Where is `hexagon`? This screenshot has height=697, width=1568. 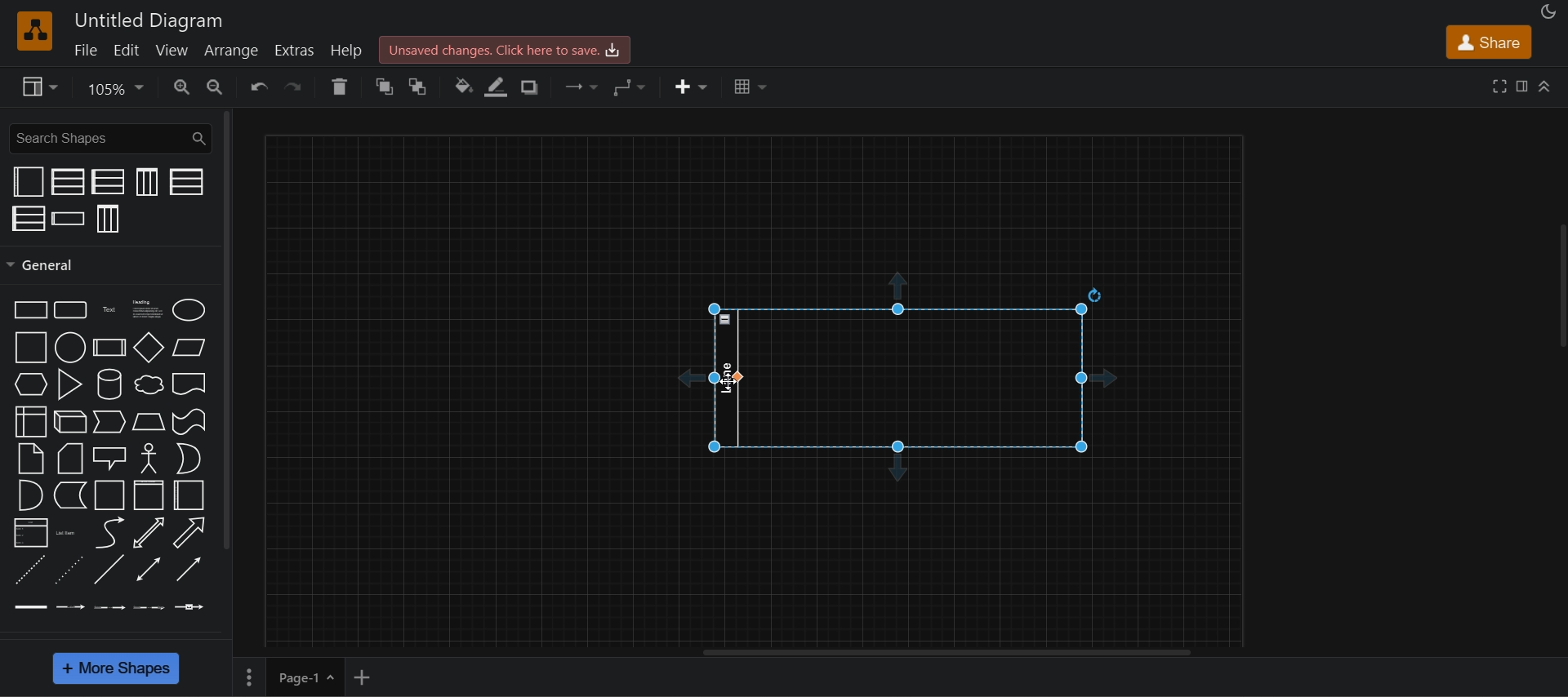
hexagon is located at coordinates (31, 384).